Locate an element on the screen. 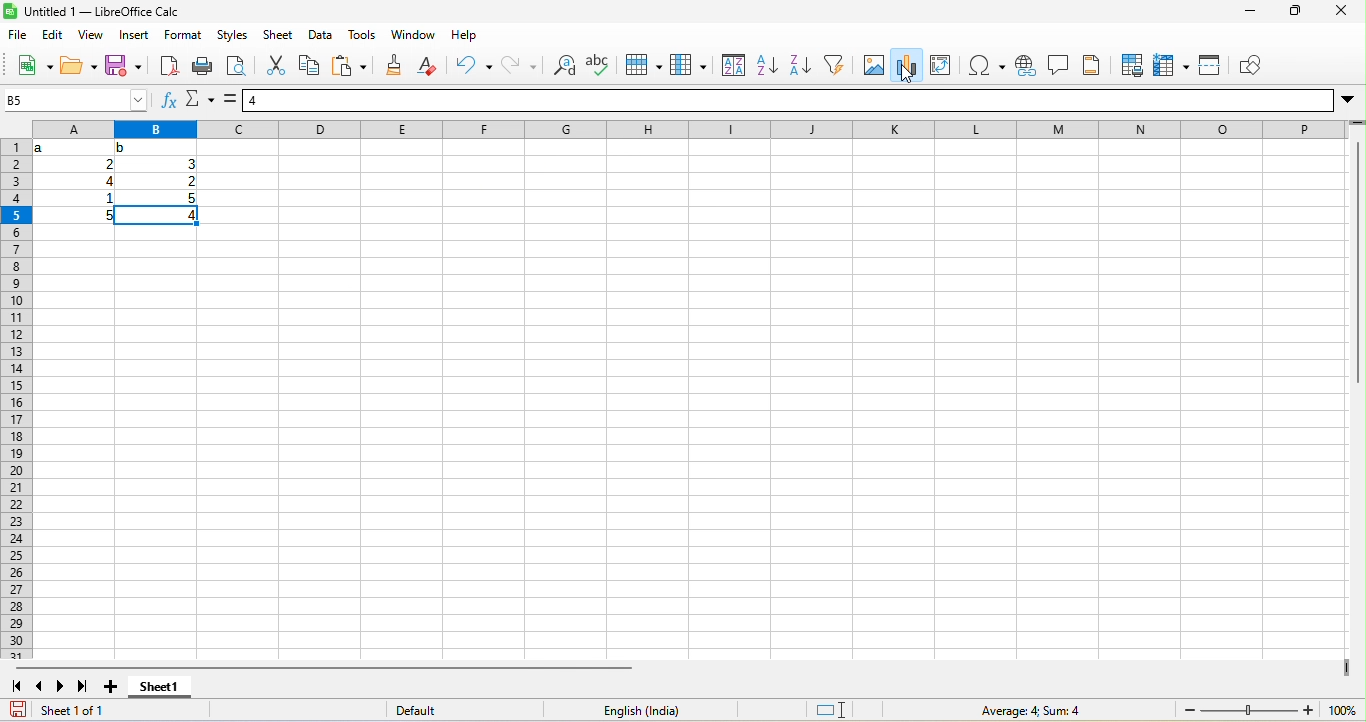 This screenshot has height=722, width=1366. 5 is located at coordinates (105, 216).